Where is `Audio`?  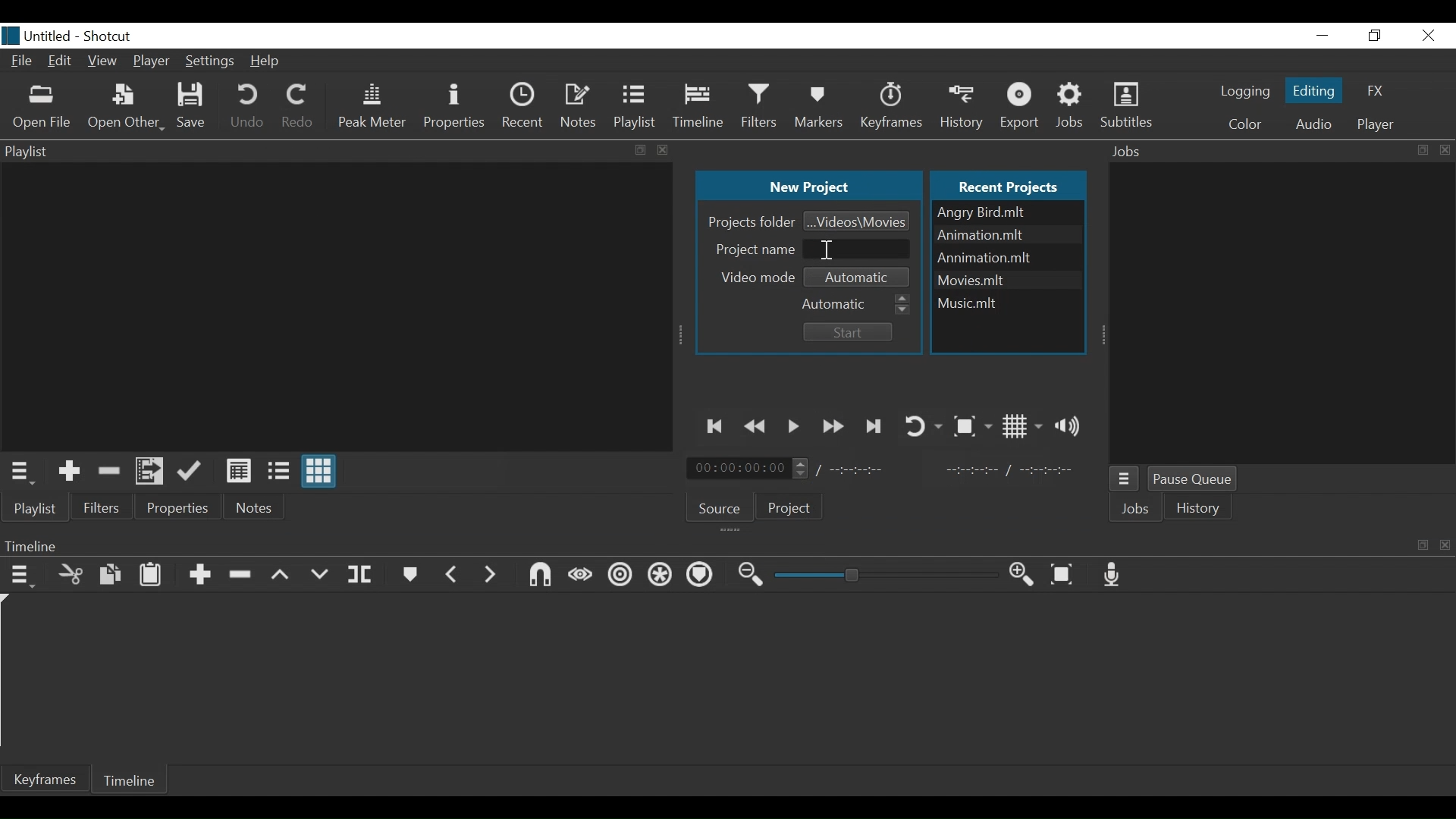
Audio is located at coordinates (1313, 124).